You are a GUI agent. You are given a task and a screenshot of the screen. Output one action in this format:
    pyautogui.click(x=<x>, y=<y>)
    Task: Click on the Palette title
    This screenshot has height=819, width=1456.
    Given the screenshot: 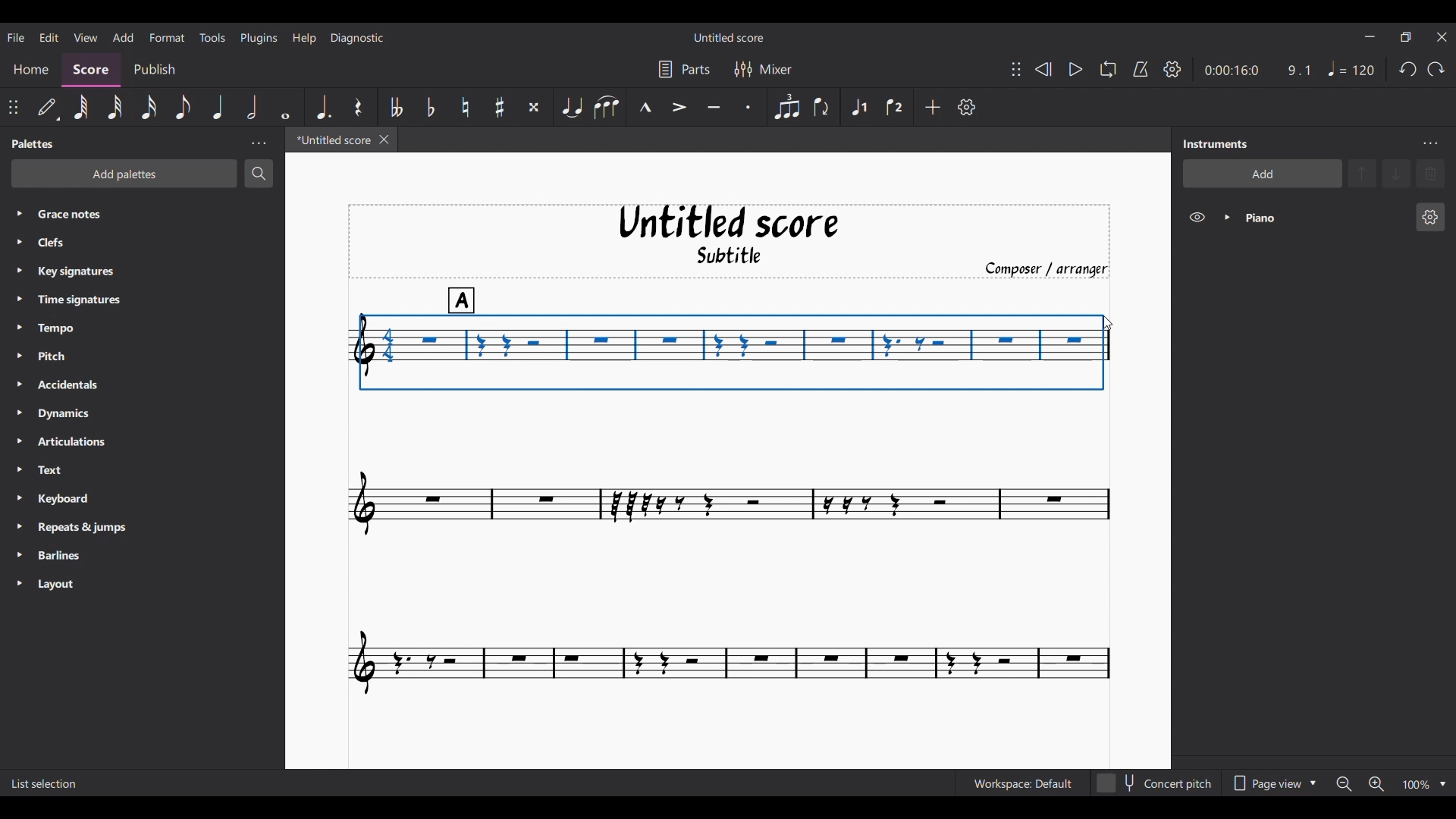 What is the action you would take?
    pyautogui.click(x=34, y=144)
    